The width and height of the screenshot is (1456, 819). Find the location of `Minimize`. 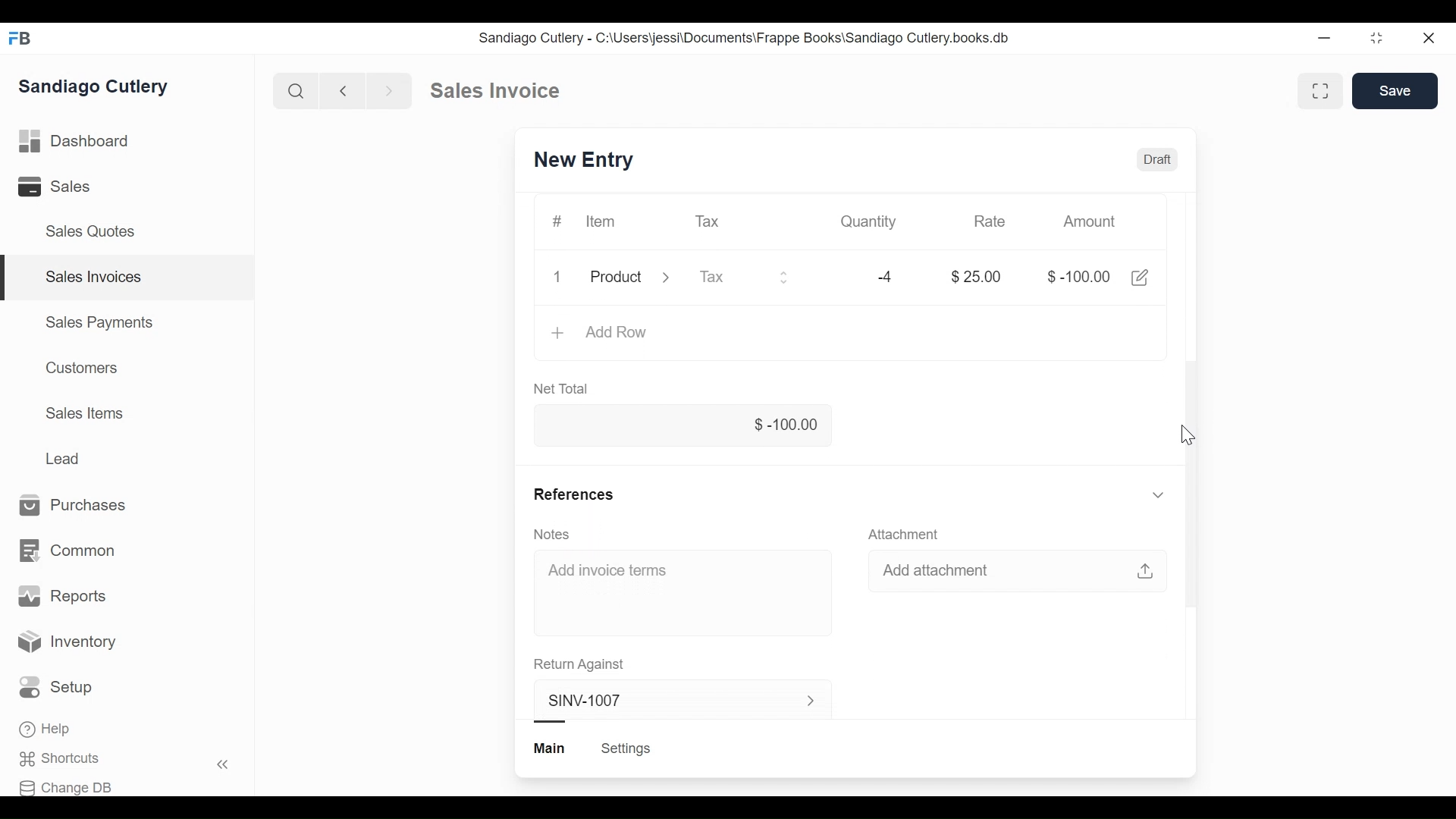

Minimize is located at coordinates (1323, 38).